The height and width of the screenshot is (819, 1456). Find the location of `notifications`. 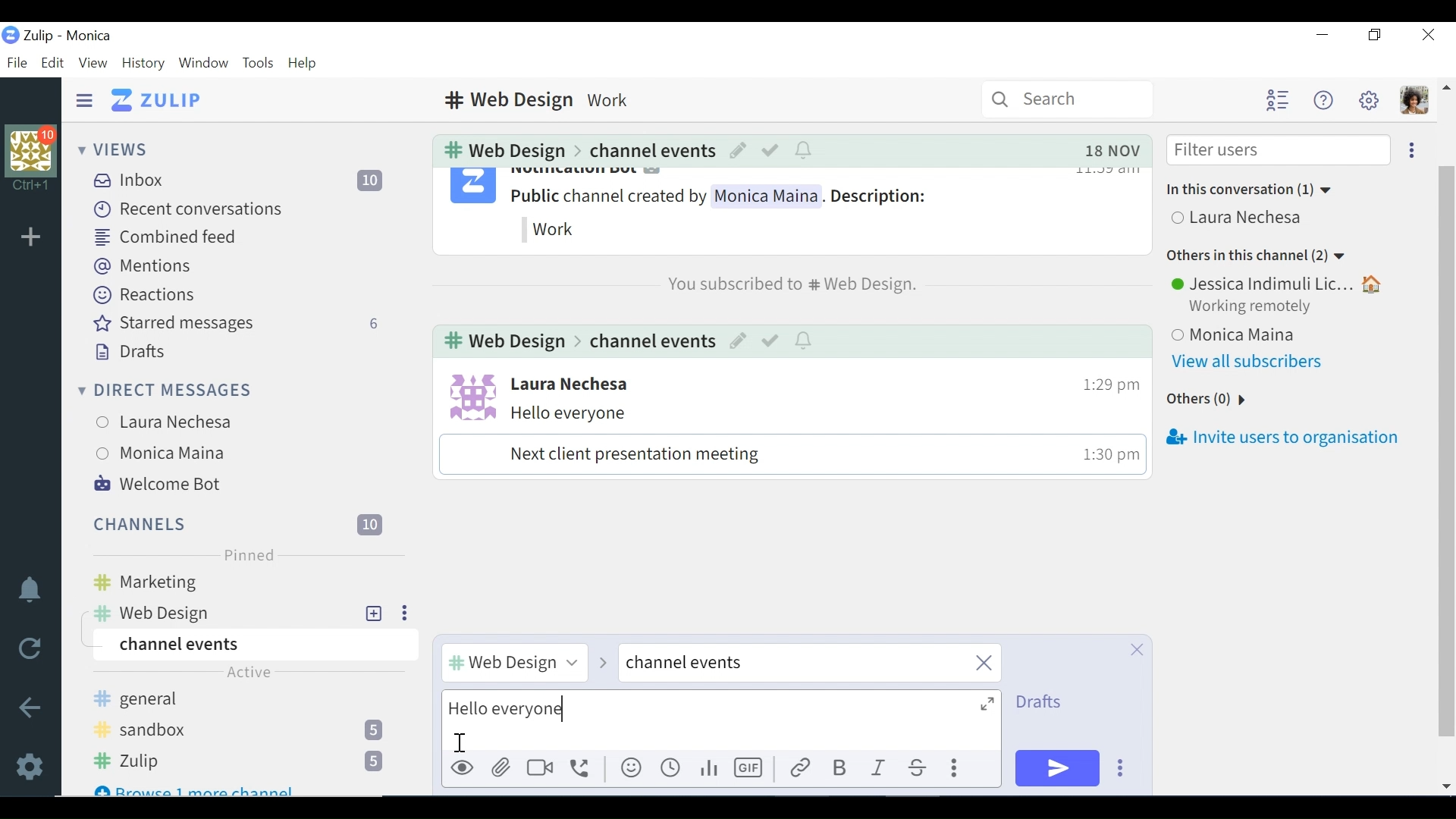

notifications is located at coordinates (30, 588).